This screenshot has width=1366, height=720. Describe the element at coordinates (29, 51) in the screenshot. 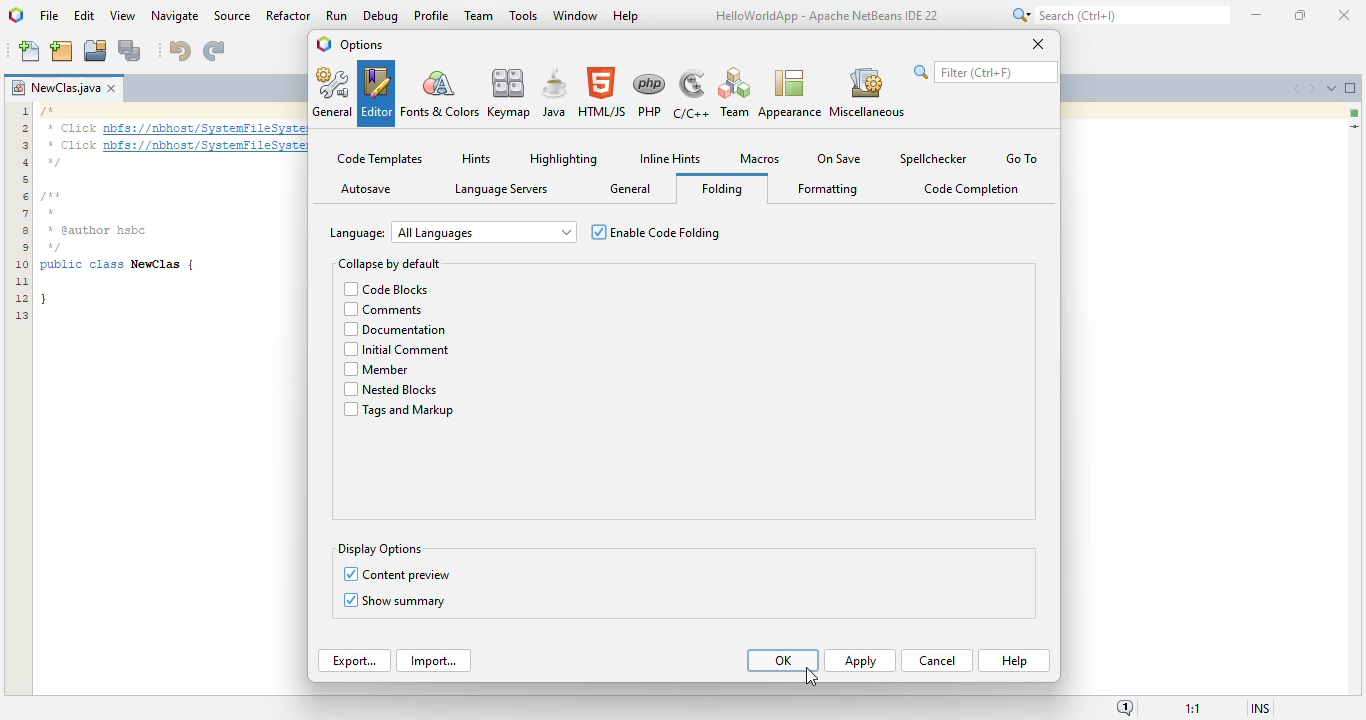

I see `new file` at that location.